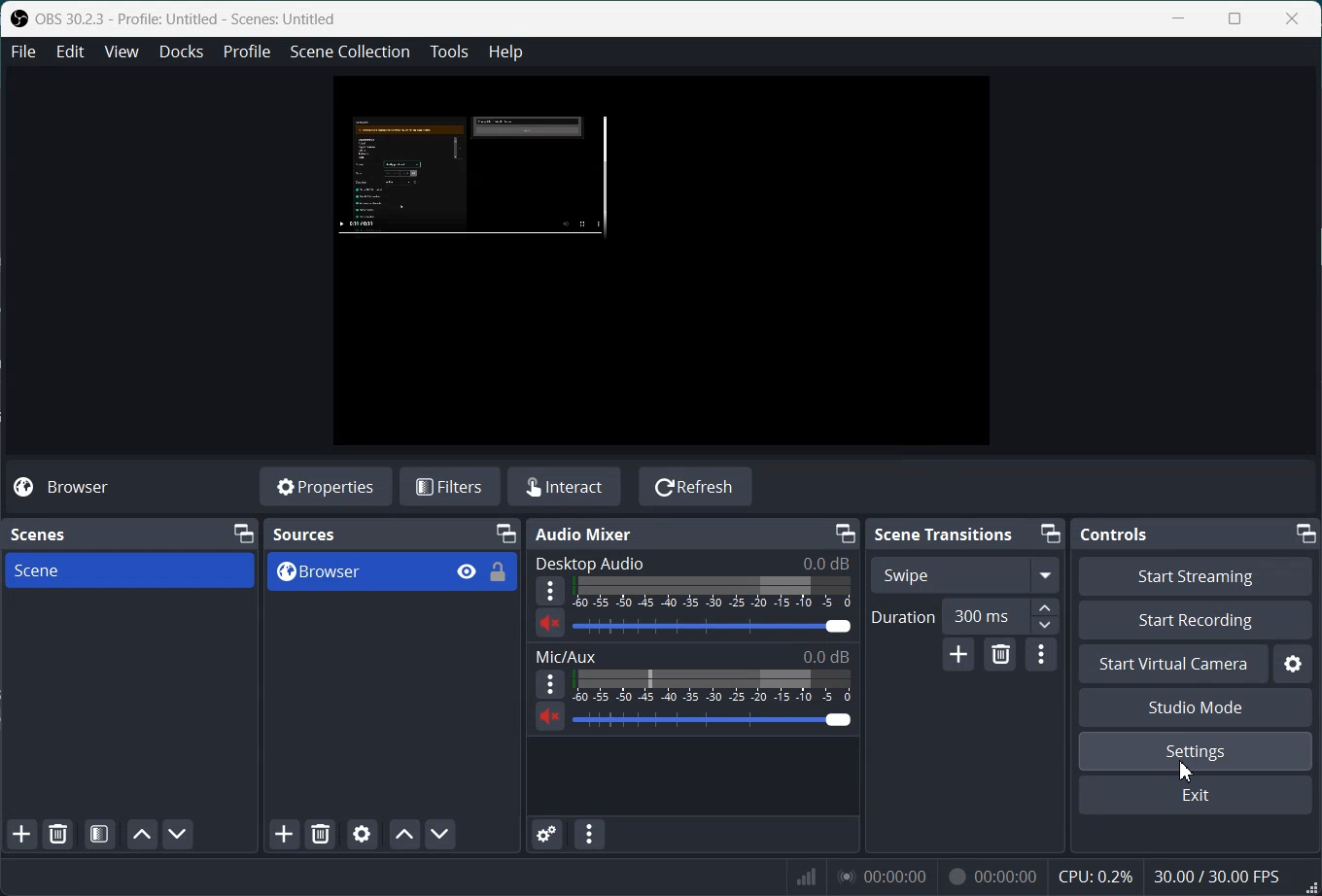 The height and width of the screenshot is (896, 1322). Describe the element at coordinates (802, 875) in the screenshot. I see `Signals` at that location.